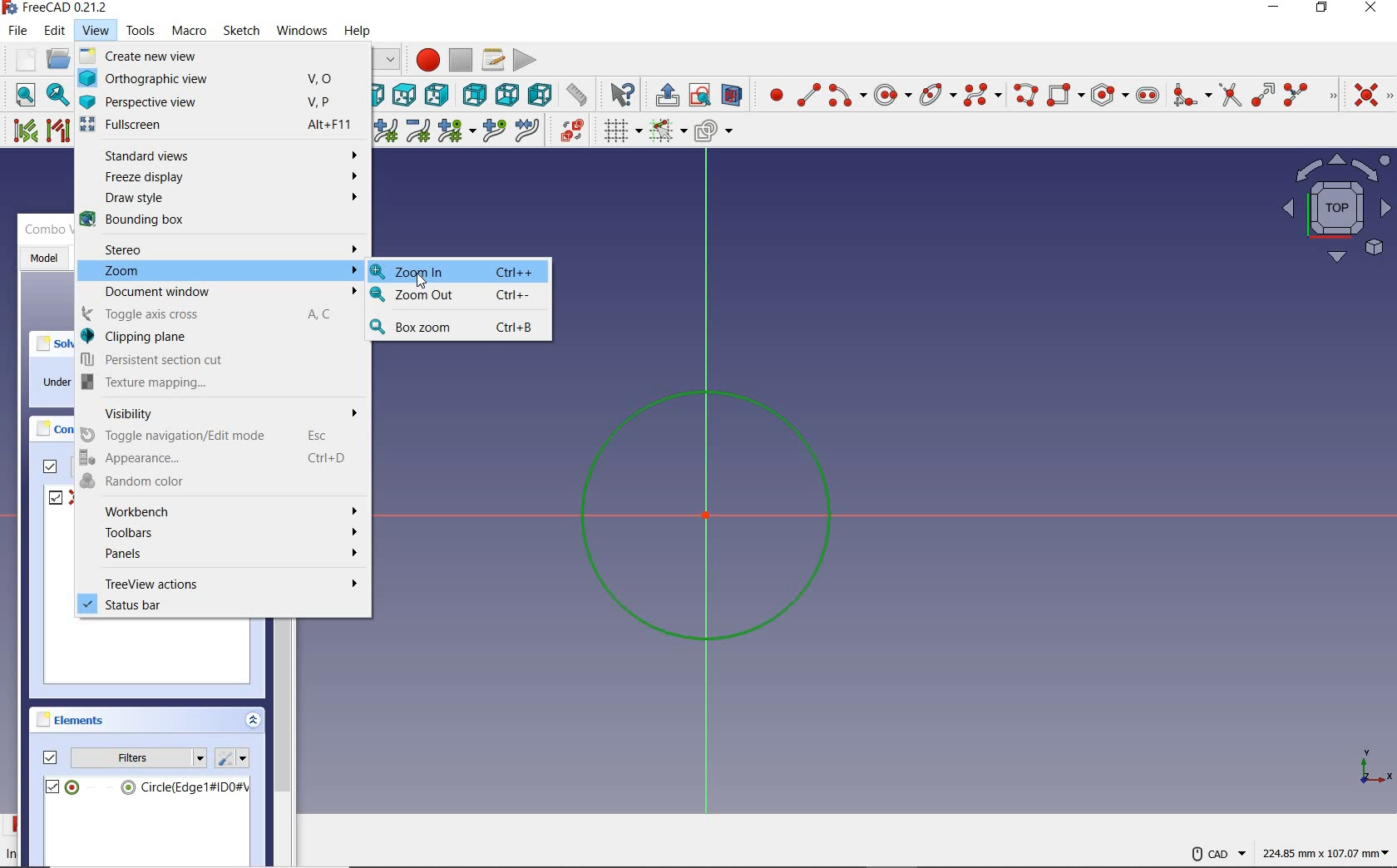 This screenshot has width=1397, height=868. I want to click on view sketch, so click(698, 93).